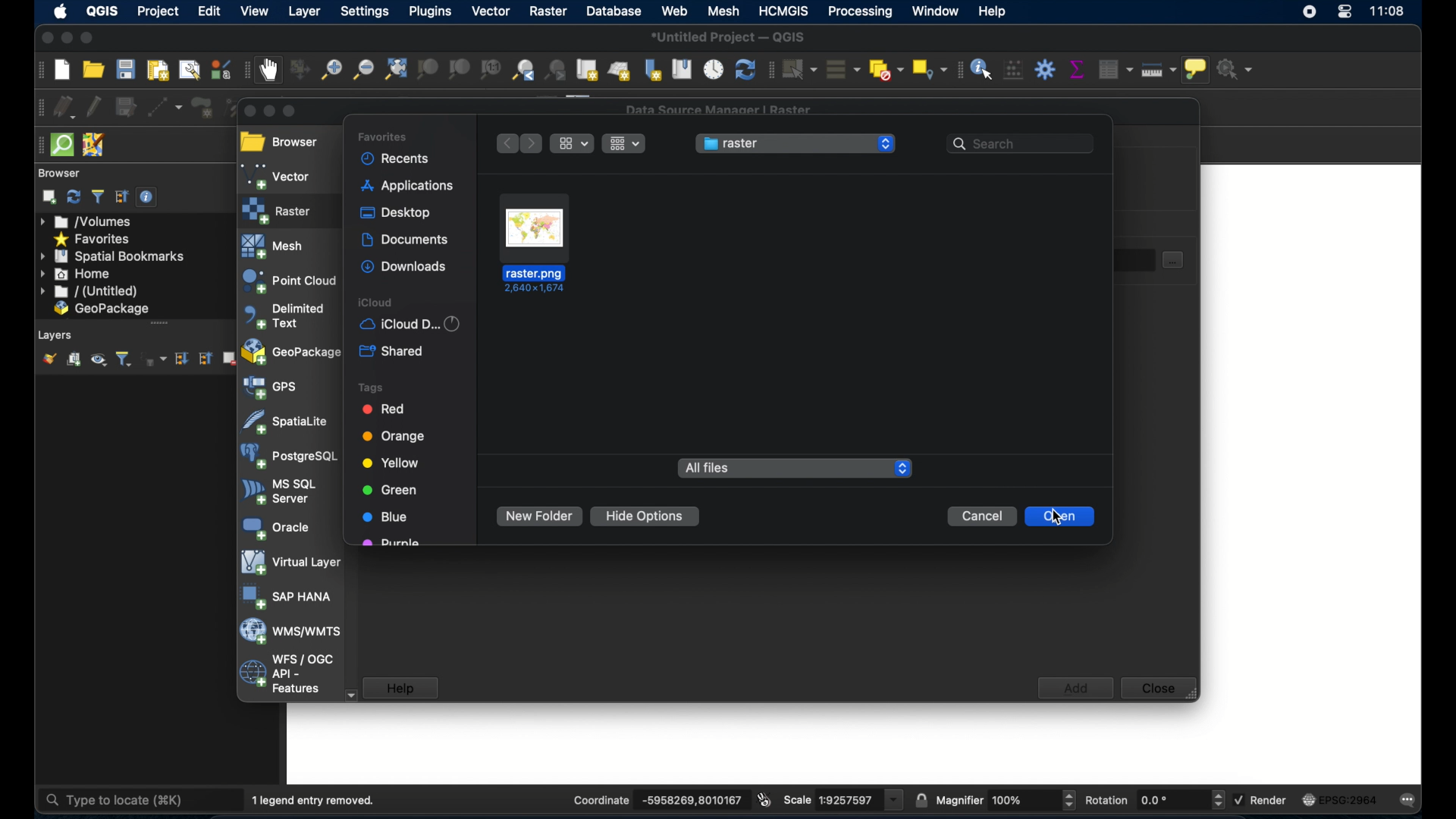  What do you see at coordinates (56, 334) in the screenshot?
I see `layers` at bounding box center [56, 334].